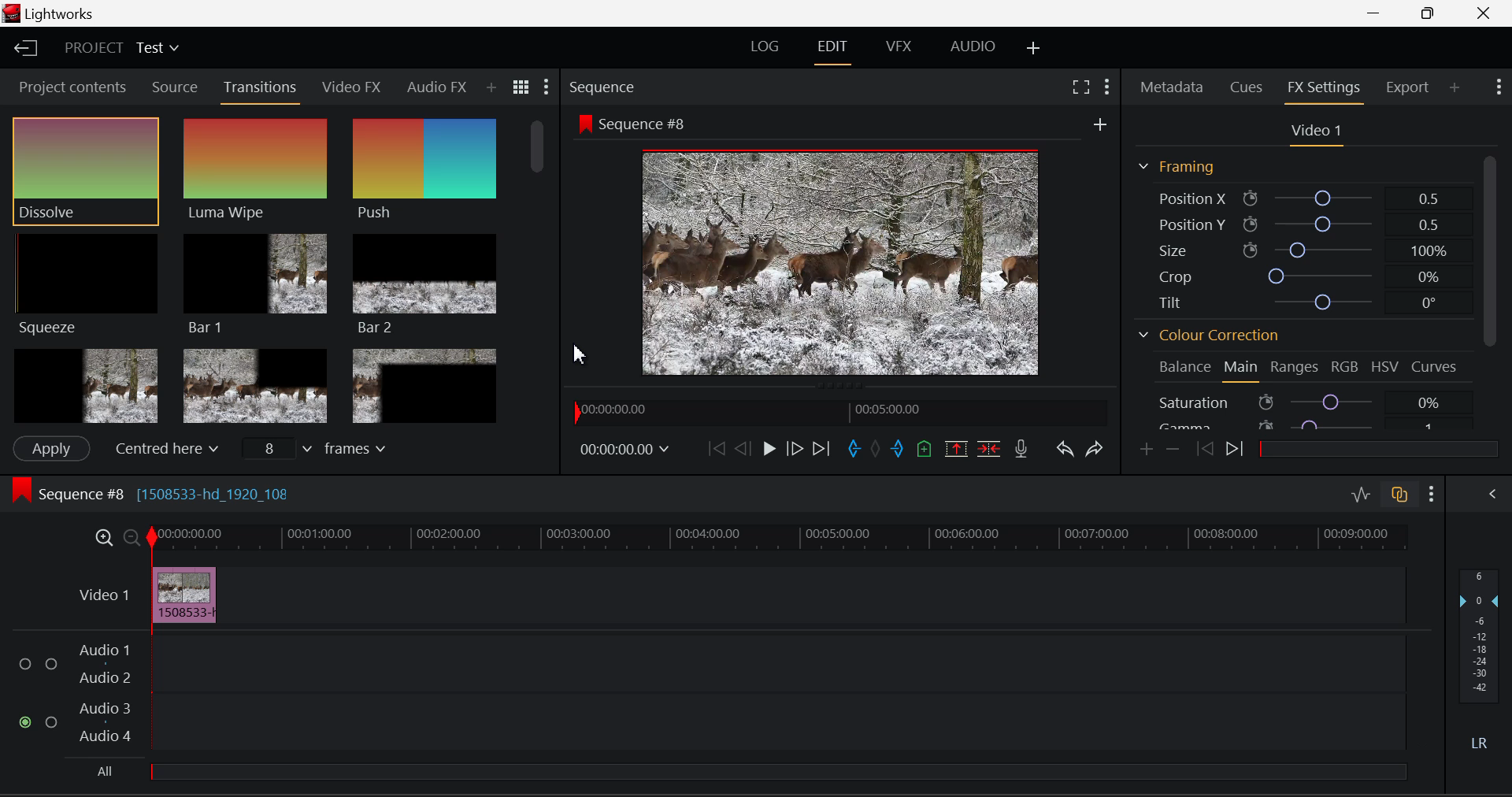  Describe the element at coordinates (1323, 88) in the screenshot. I see `FX Settings` at that location.